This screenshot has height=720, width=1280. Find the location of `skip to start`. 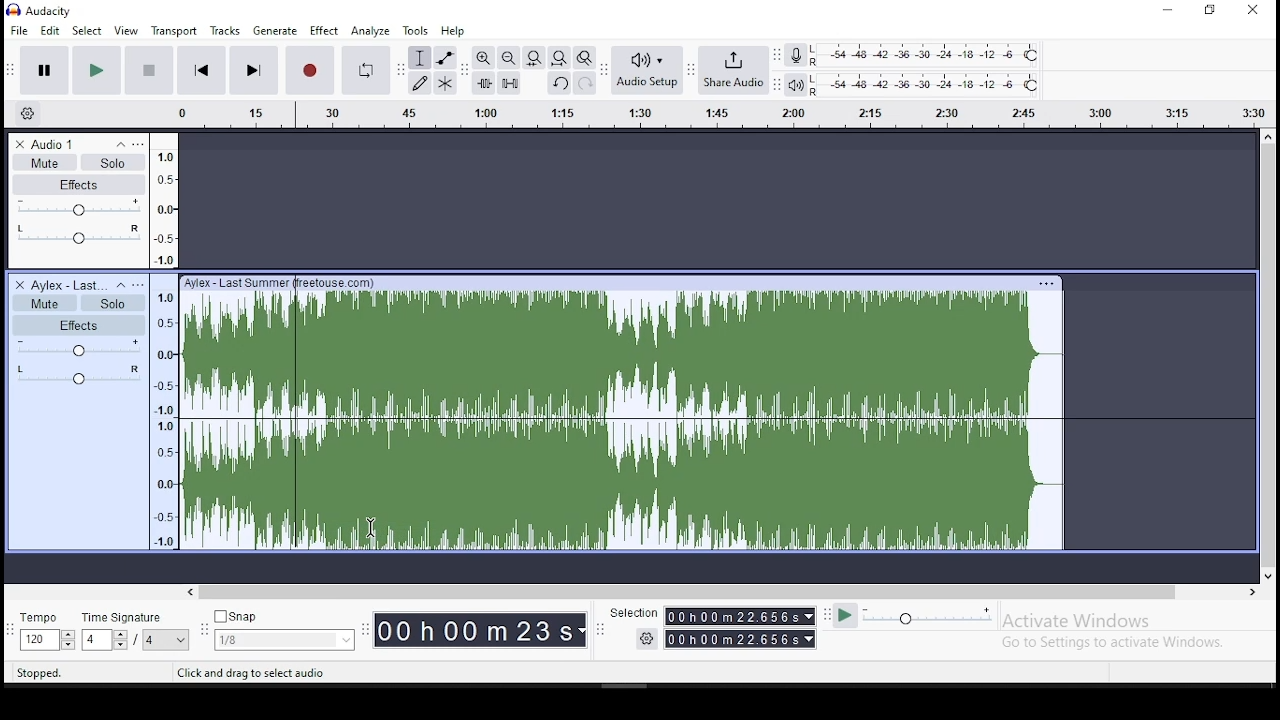

skip to start is located at coordinates (199, 70).